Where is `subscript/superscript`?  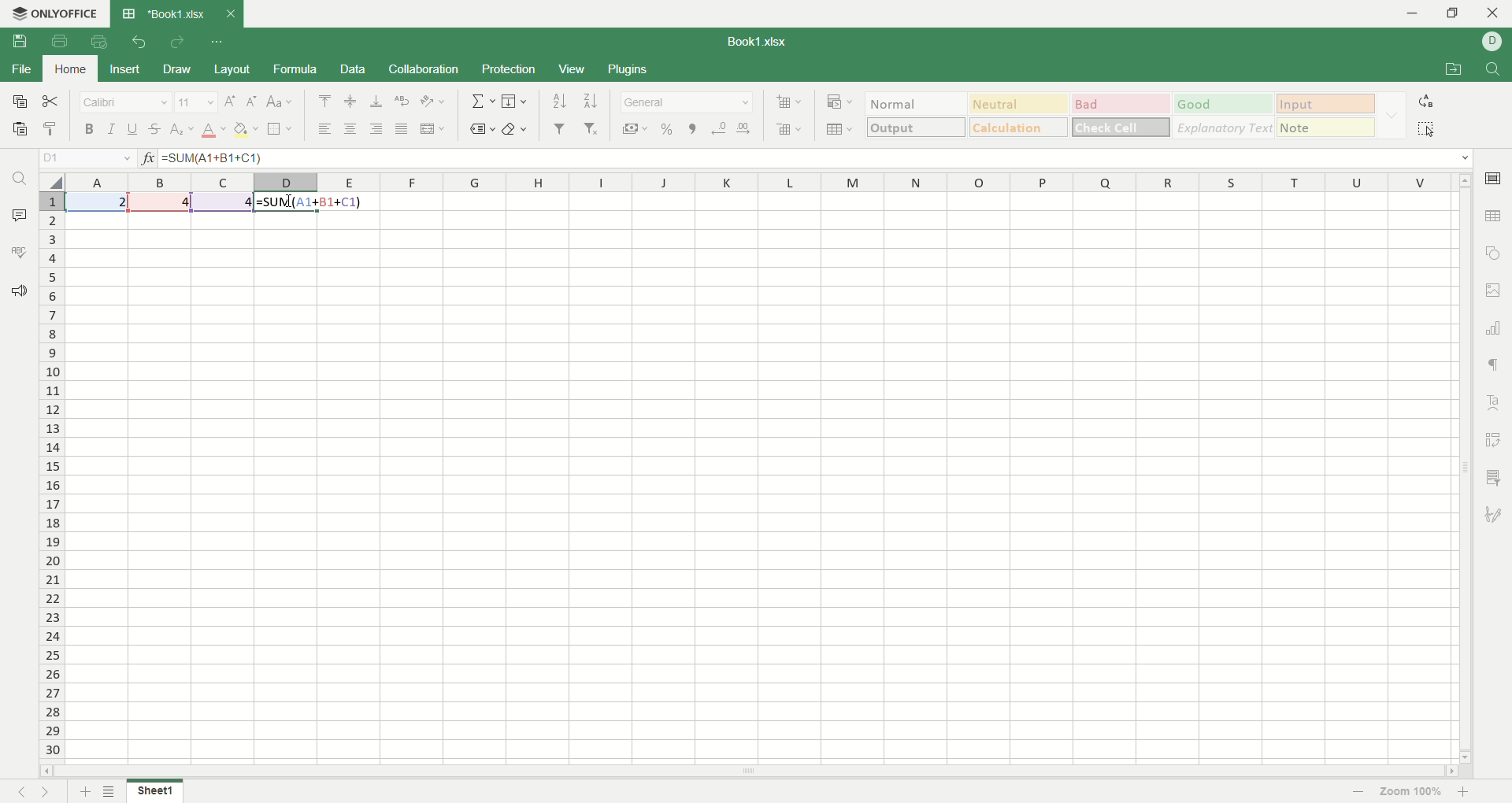 subscript/superscript is located at coordinates (182, 130).